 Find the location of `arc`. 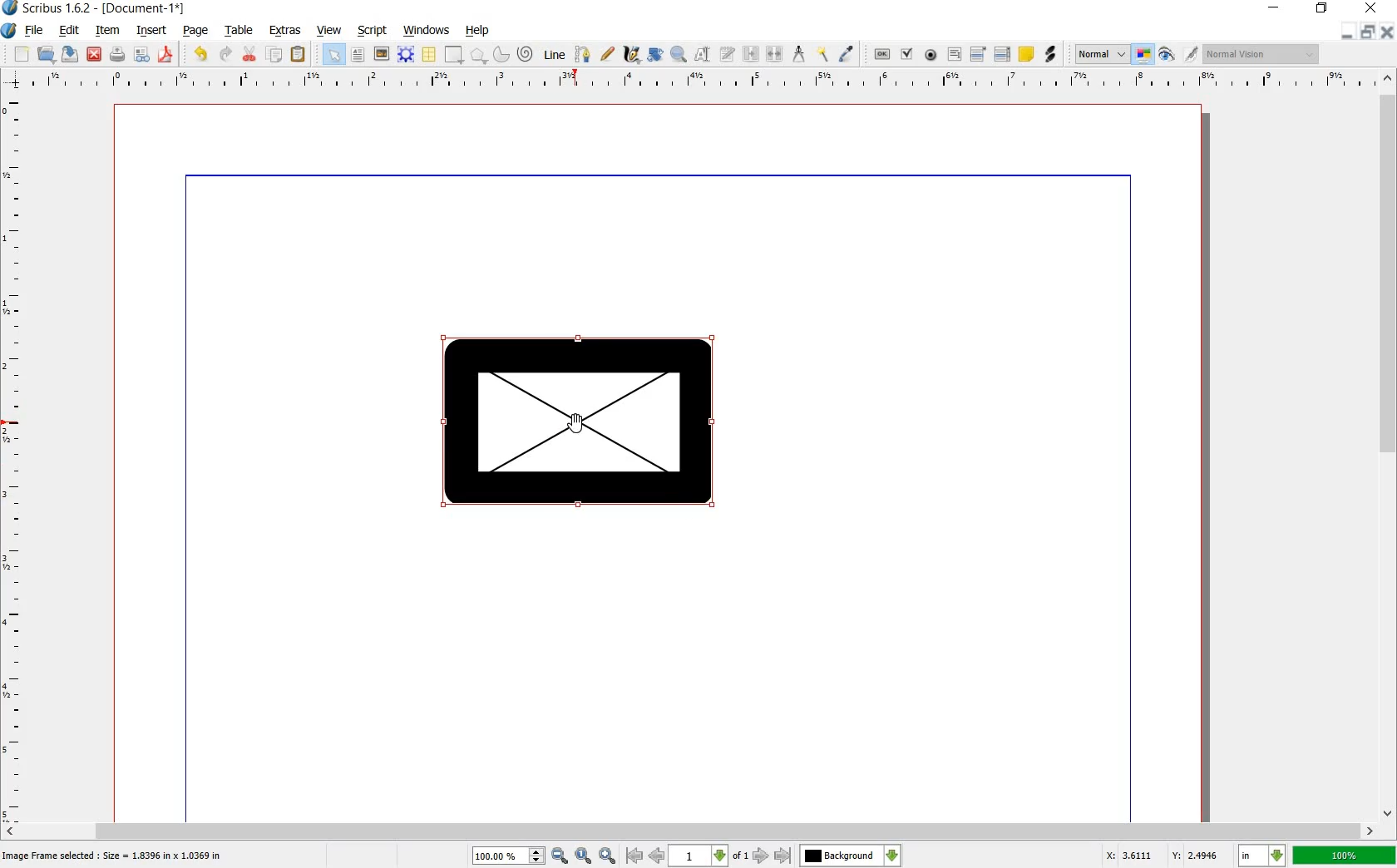

arc is located at coordinates (499, 55).